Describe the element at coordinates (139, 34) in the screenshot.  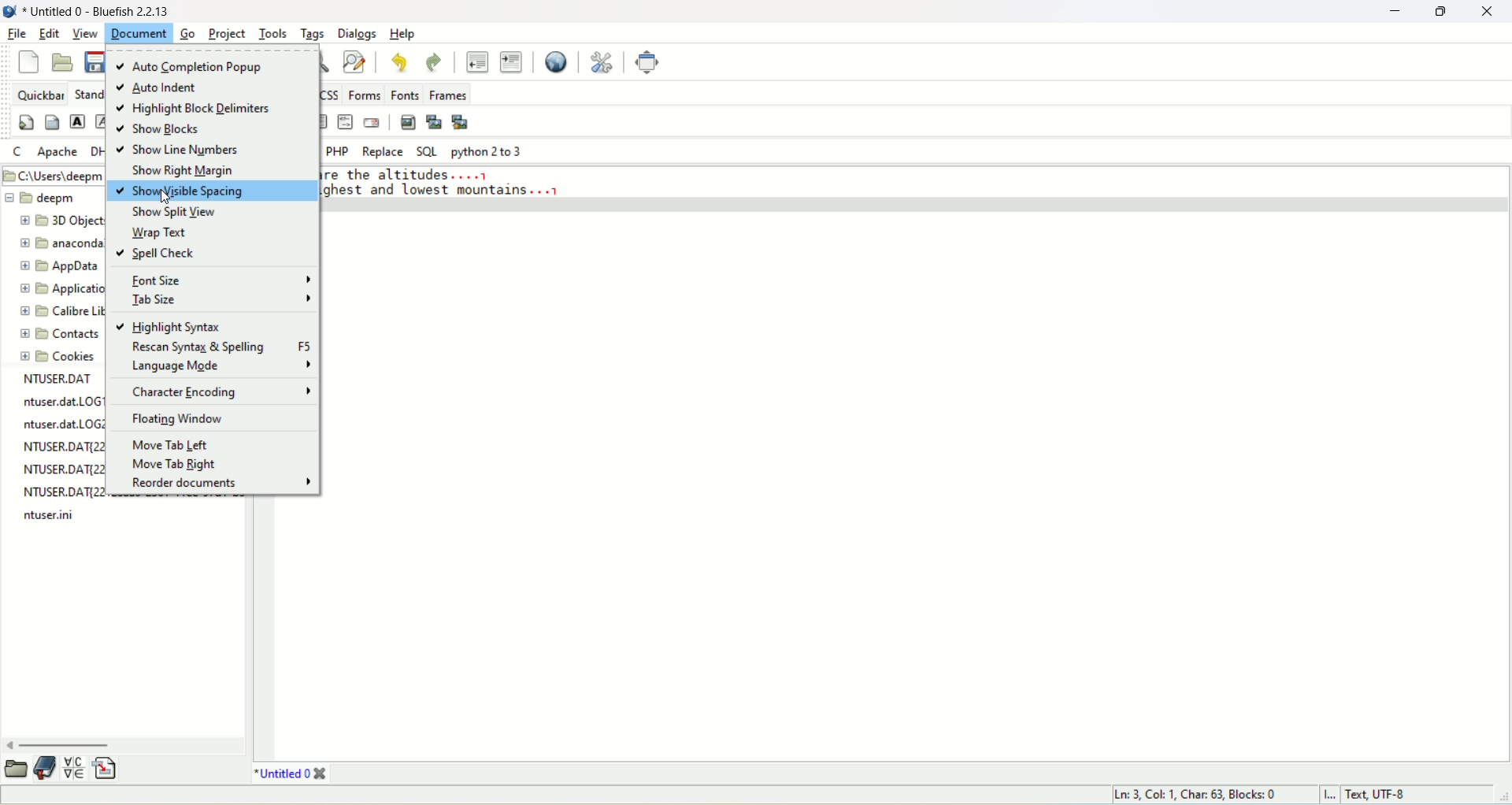
I see `document` at that location.